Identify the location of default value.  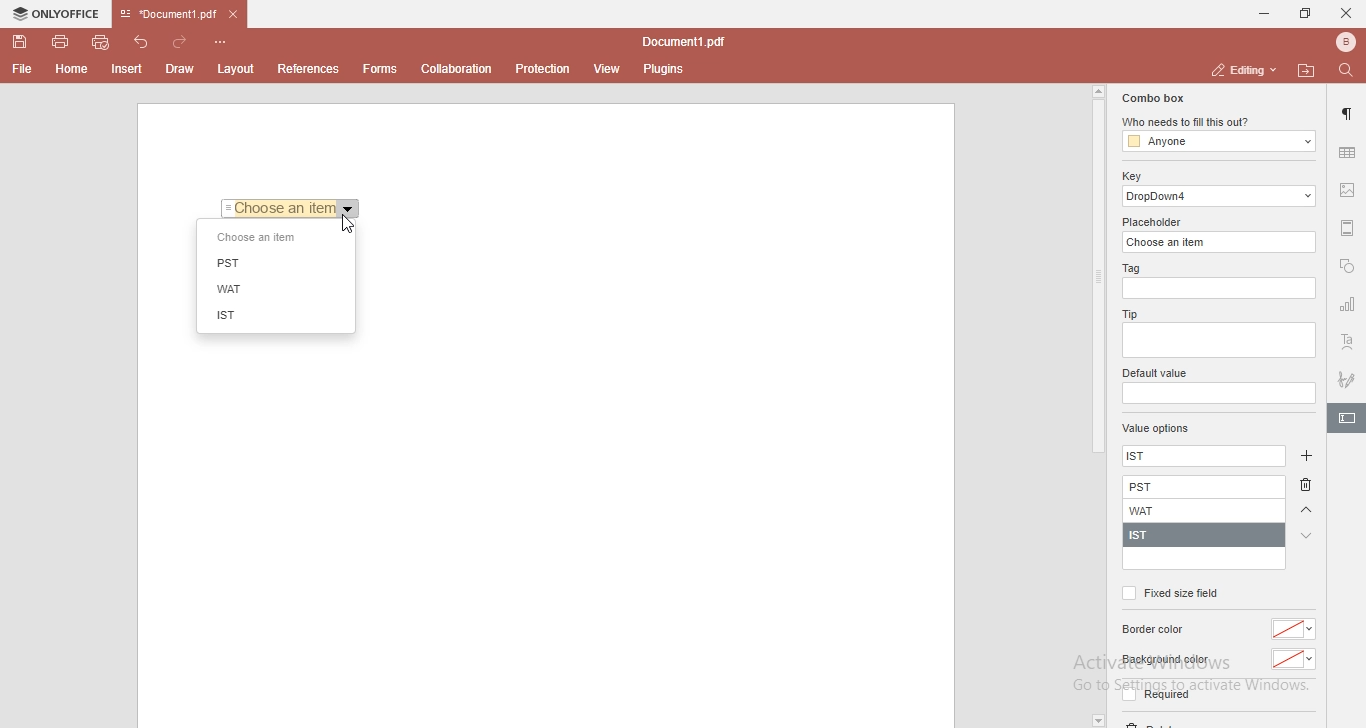
(1157, 374).